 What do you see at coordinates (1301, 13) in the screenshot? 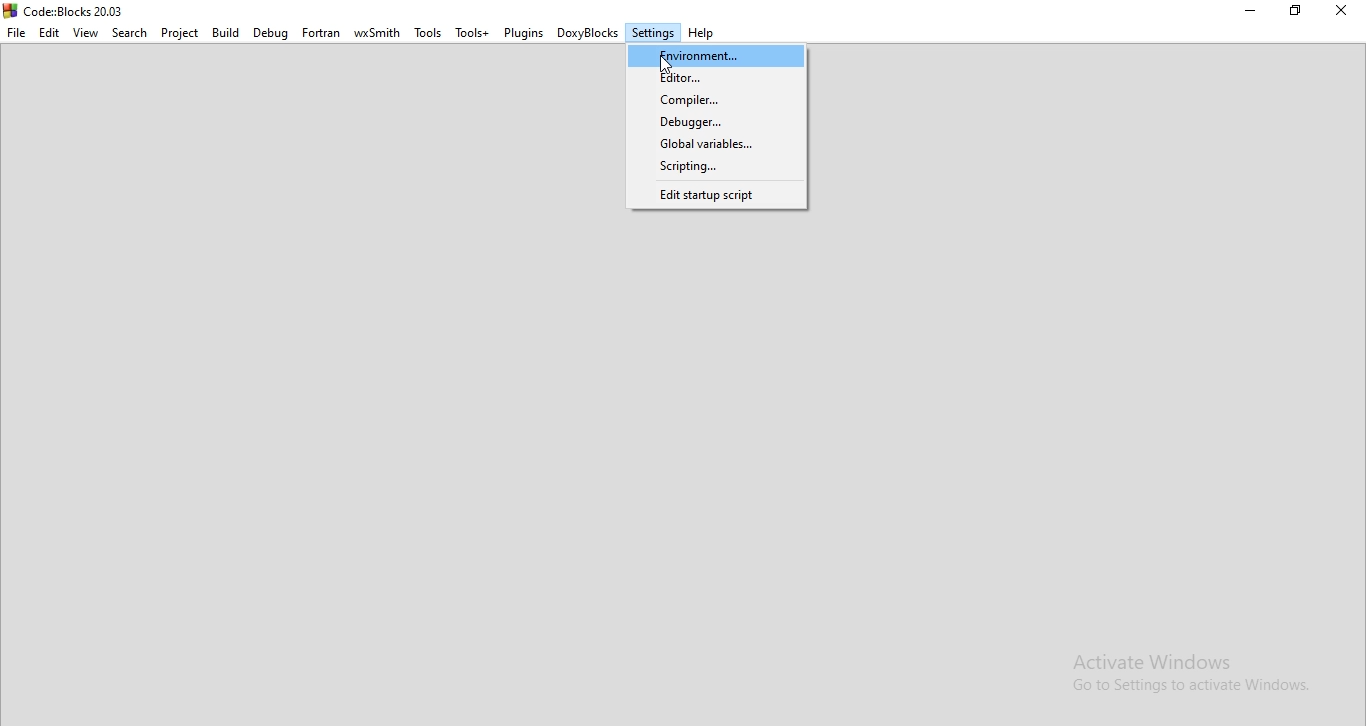
I see `restore` at bounding box center [1301, 13].